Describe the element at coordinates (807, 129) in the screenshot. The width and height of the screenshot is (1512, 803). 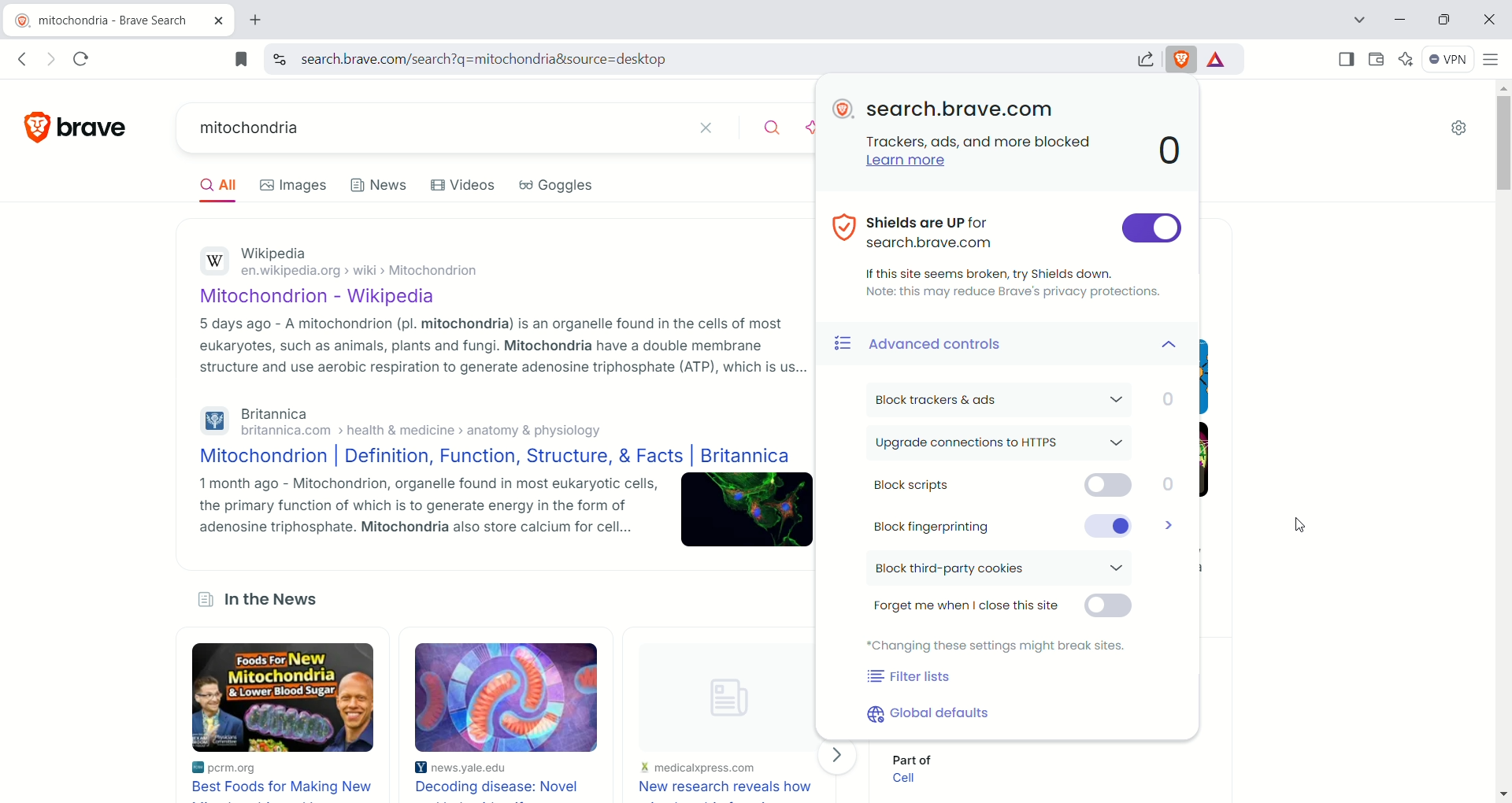
I see `search with AI` at that location.